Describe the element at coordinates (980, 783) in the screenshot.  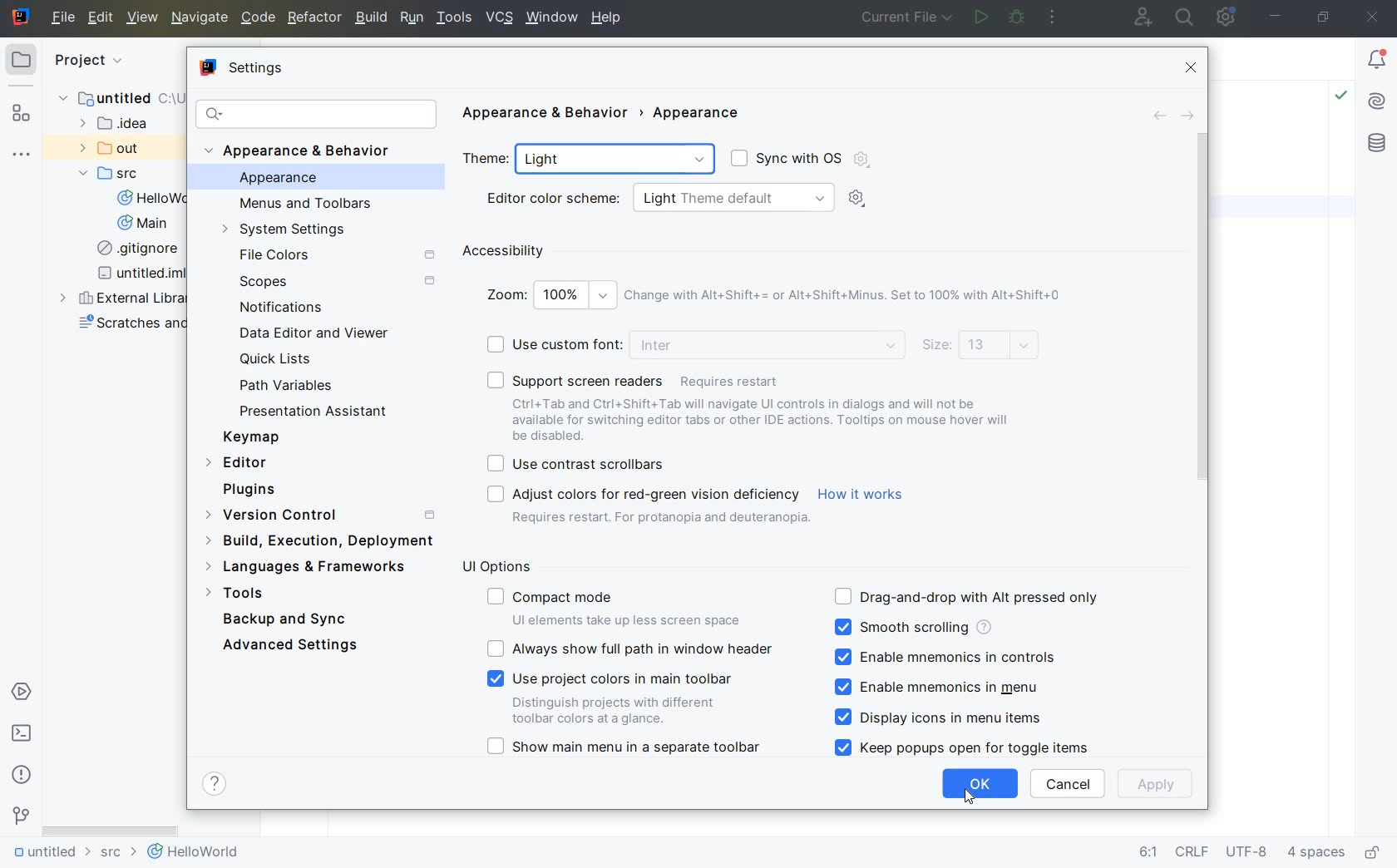
I see `ok` at that location.